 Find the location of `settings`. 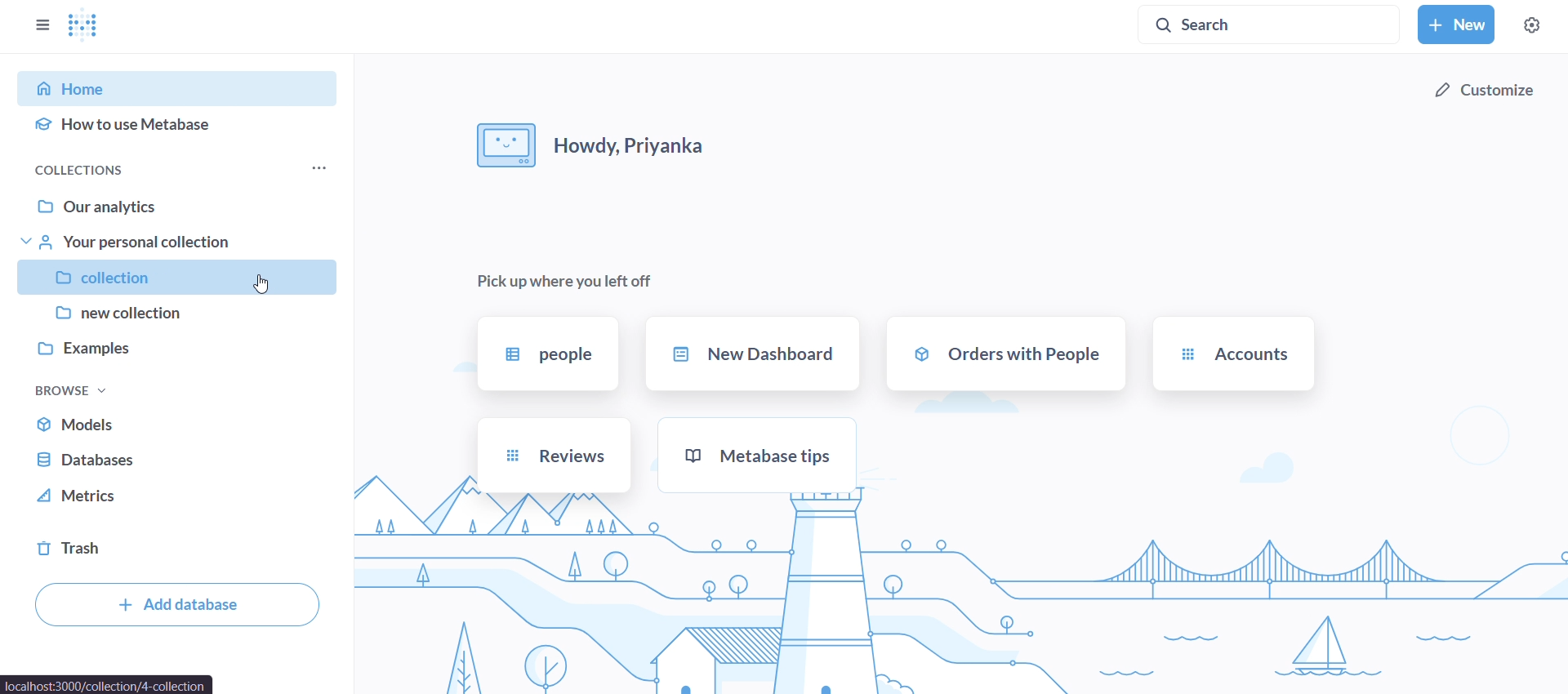

settings is located at coordinates (1536, 24).